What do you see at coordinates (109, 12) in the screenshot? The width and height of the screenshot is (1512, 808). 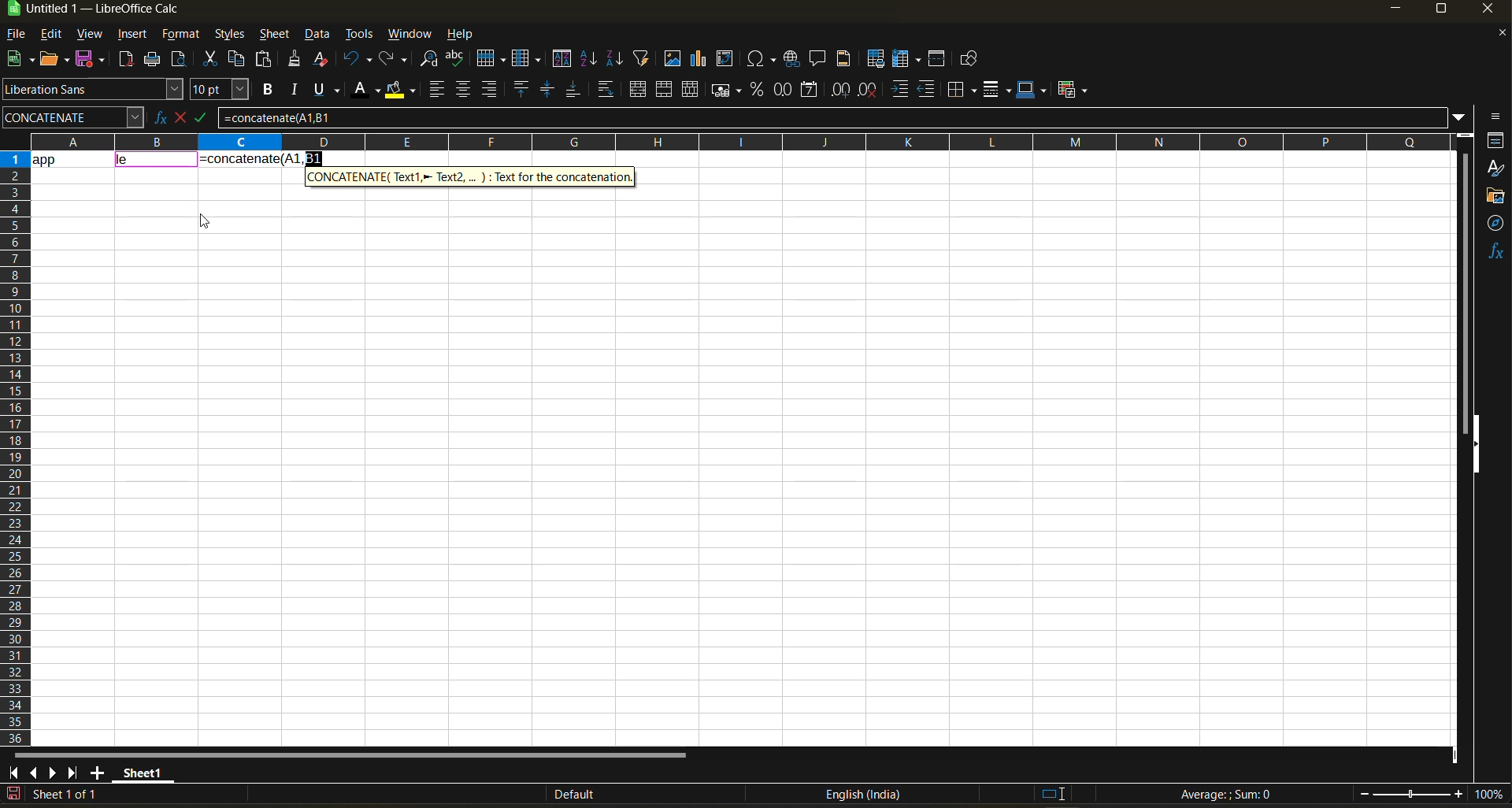 I see `app name and file name` at bounding box center [109, 12].